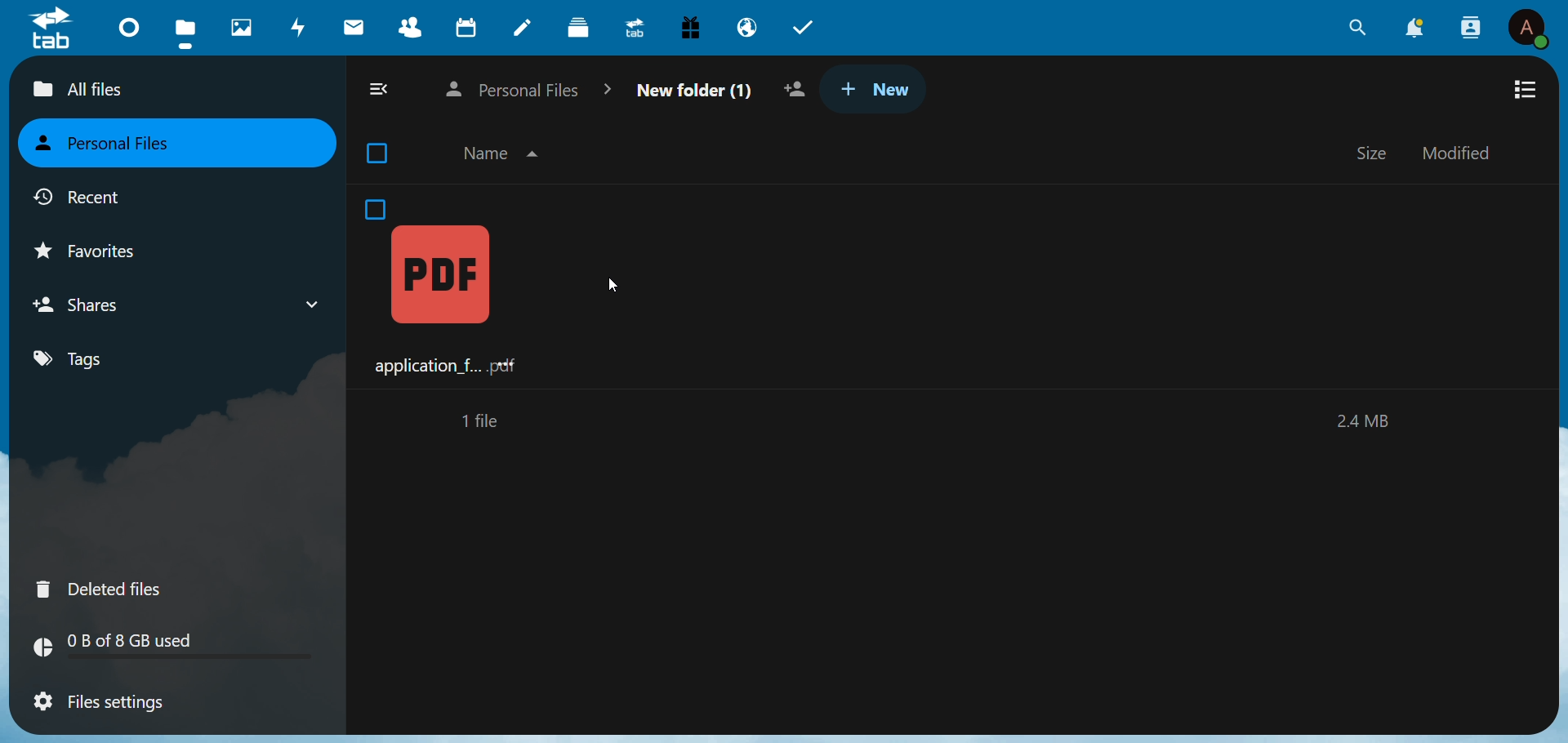 This screenshot has height=743, width=1568. Describe the element at coordinates (1528, 90) in the screenshot. I see `list view` at that location.